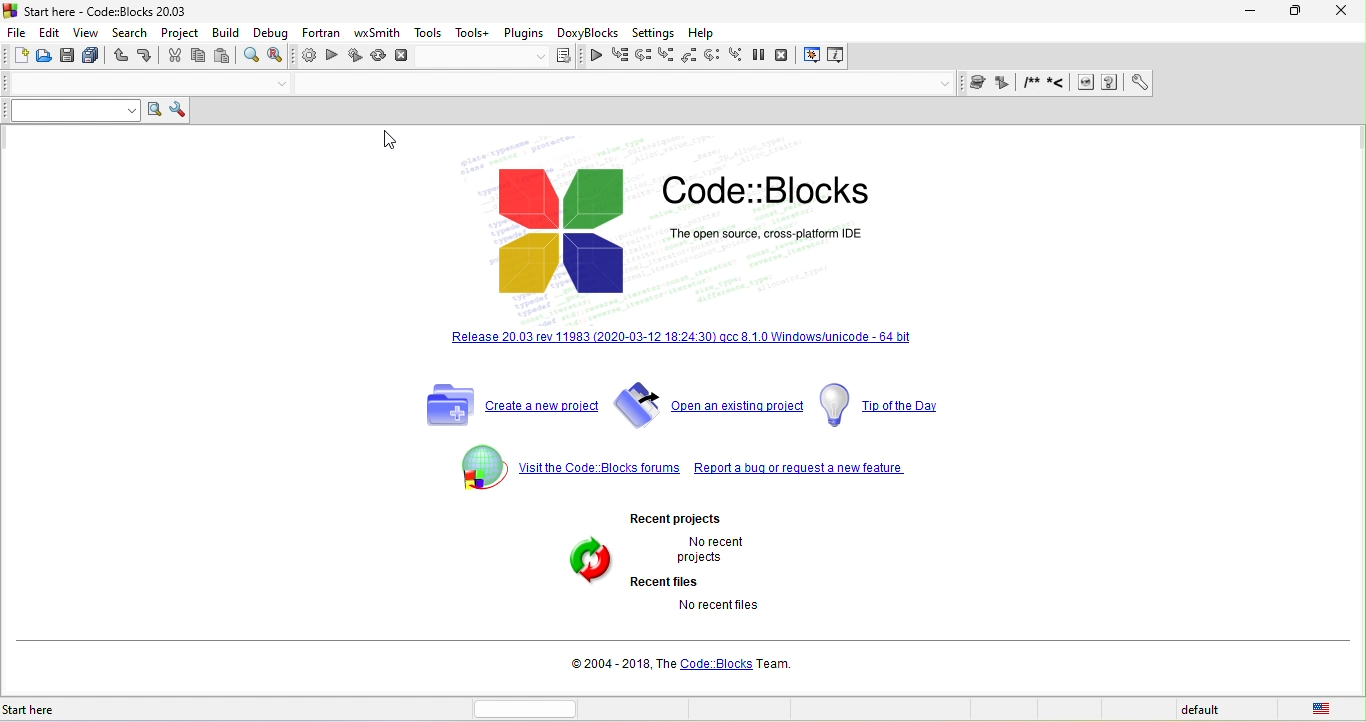 The image size is (1366, 722). I want to click on wx smith, so click(375, 33).